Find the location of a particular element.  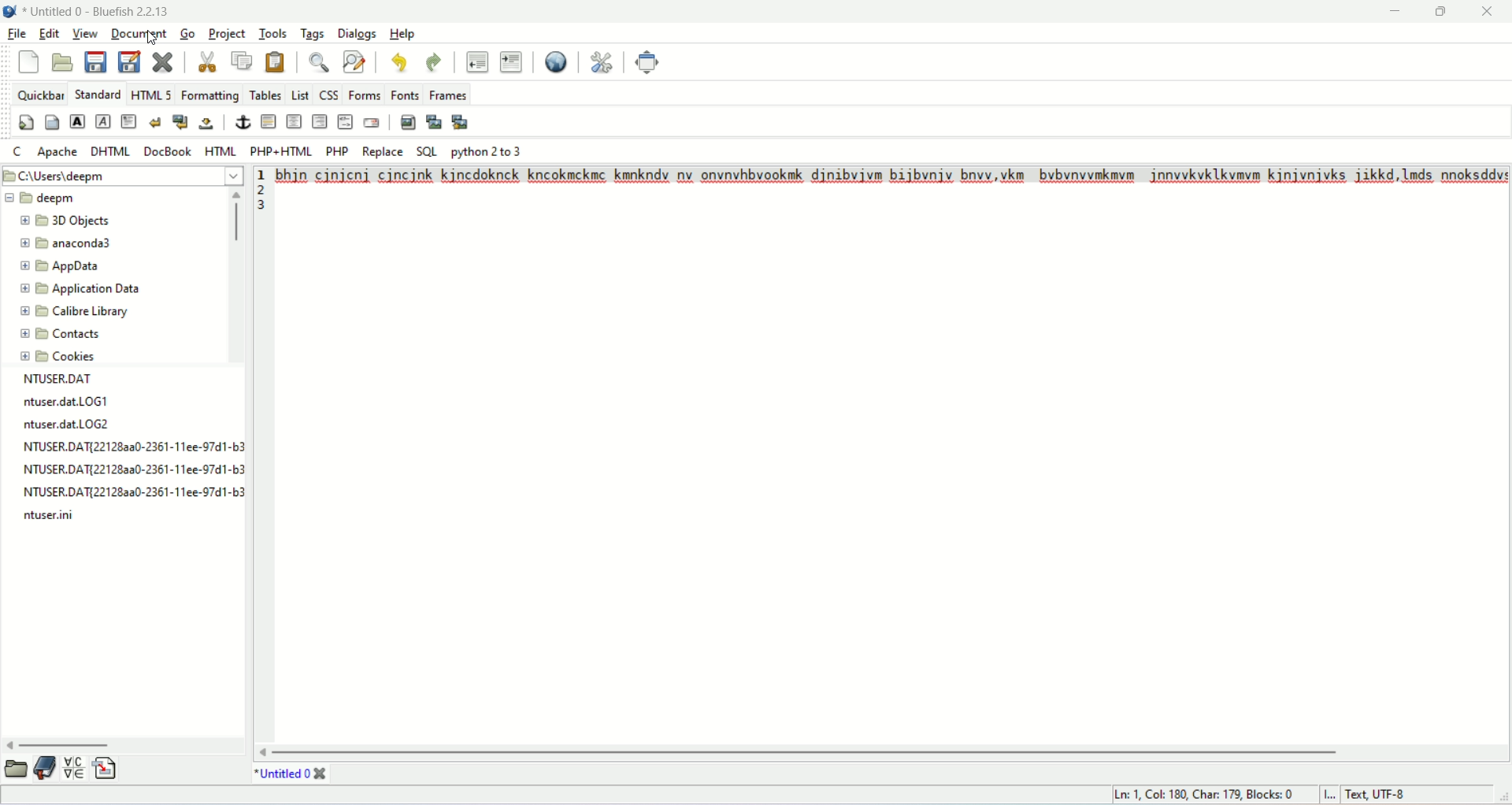

forms is located at coordinates (365, 95).